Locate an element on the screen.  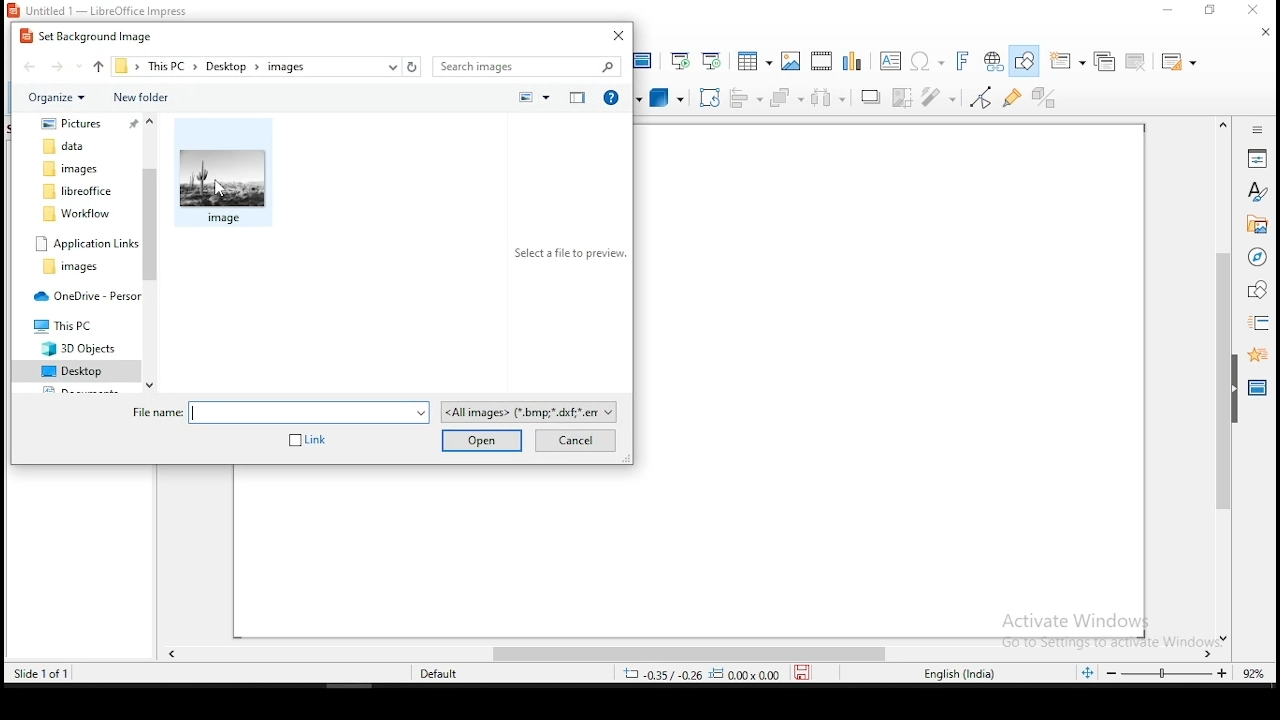
arrange is located at coordinates (787, 99).